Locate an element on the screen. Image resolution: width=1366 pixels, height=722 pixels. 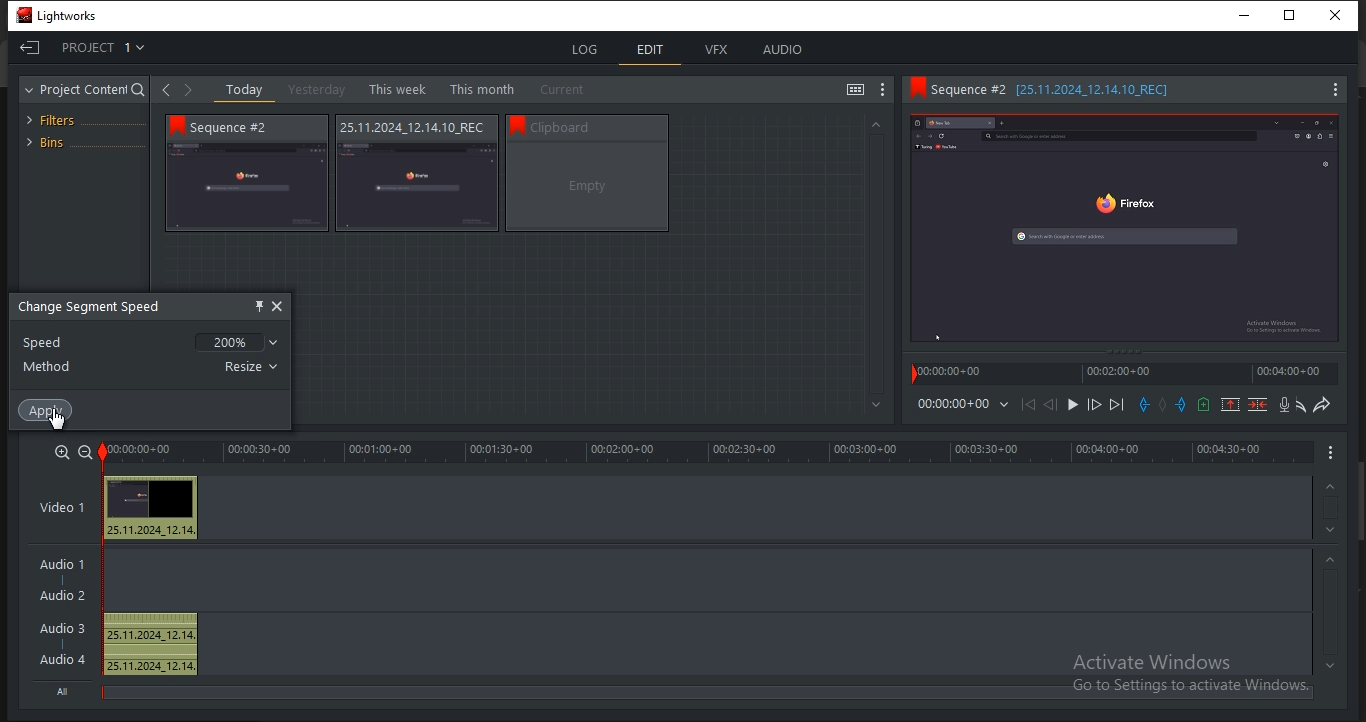
All is located at coordinates (65, 691).